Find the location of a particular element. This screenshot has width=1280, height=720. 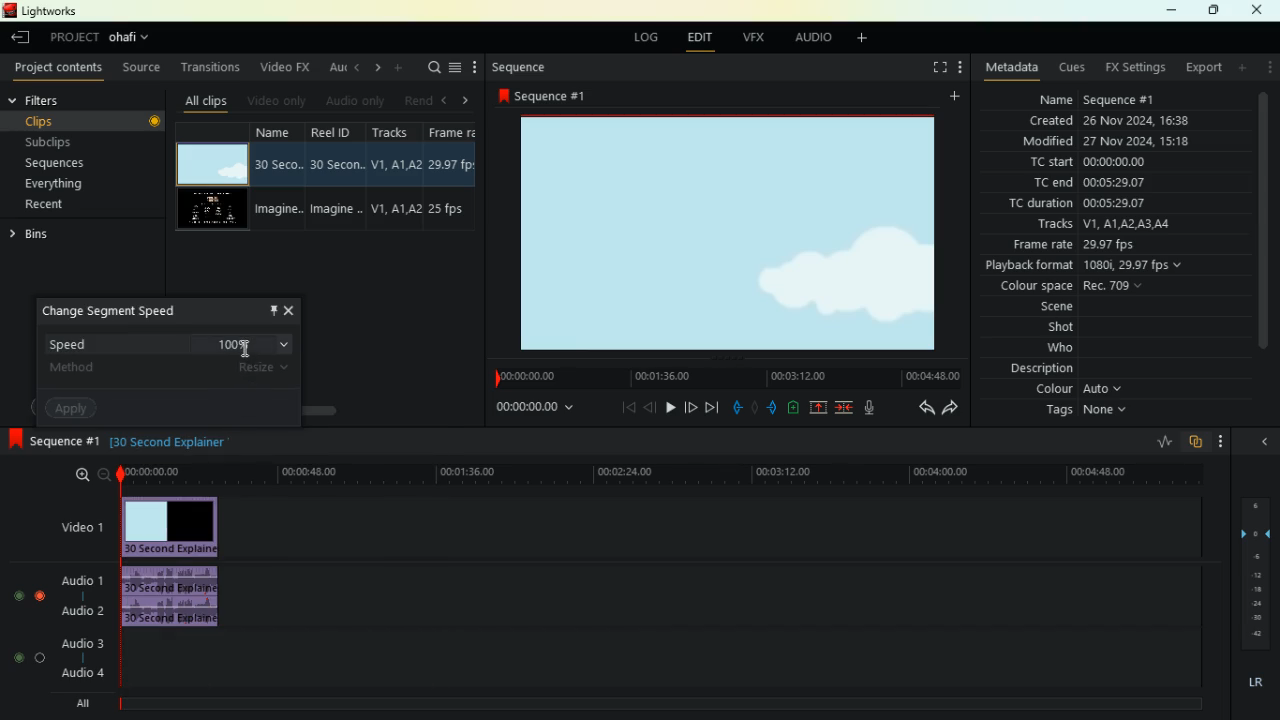

video only is located at coordinates (279, 101).